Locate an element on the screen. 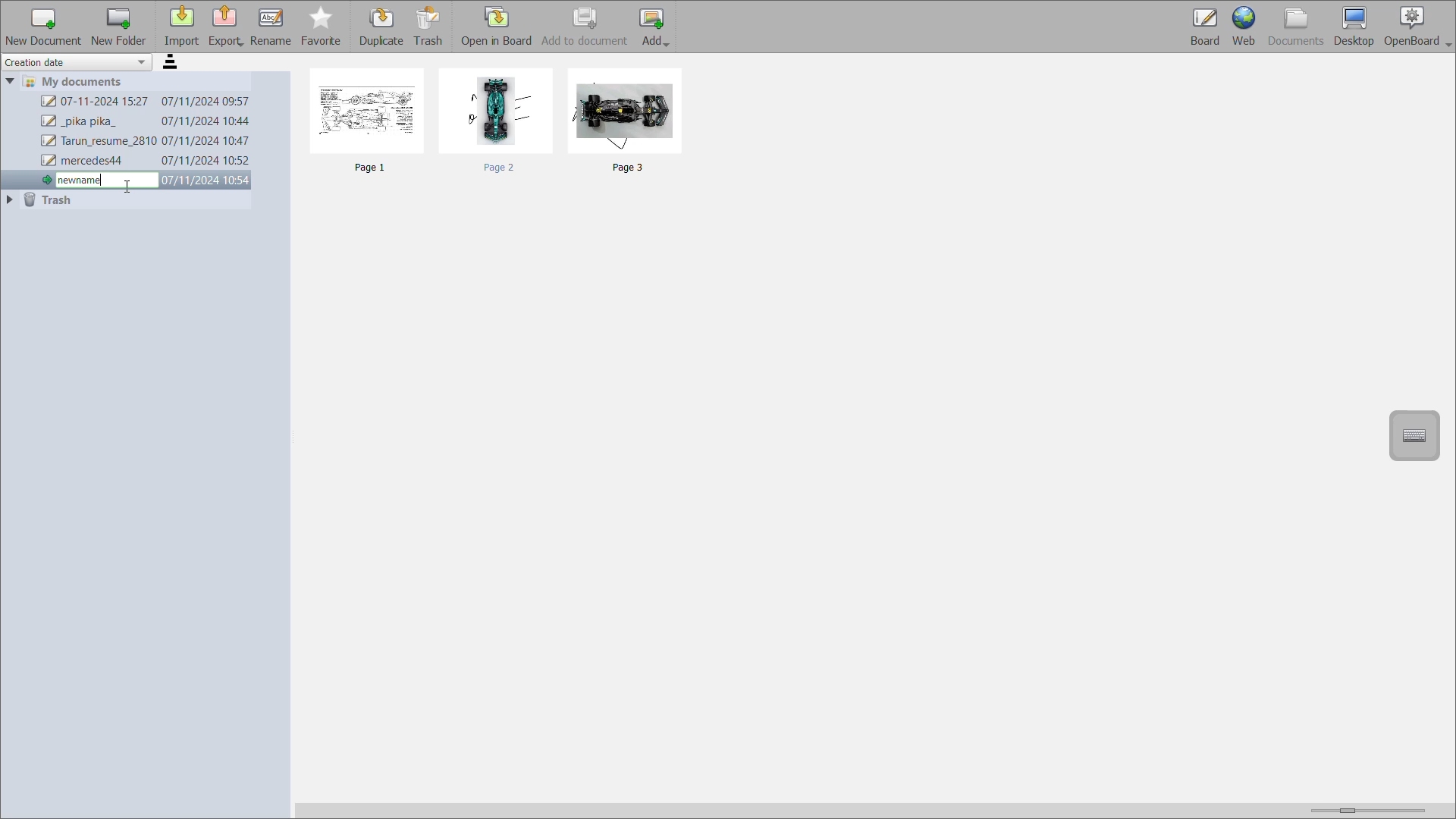 The image size is (1456, 819). _pika pika_ 07/11/2024 10:44 is located at coordinates (145, 121).